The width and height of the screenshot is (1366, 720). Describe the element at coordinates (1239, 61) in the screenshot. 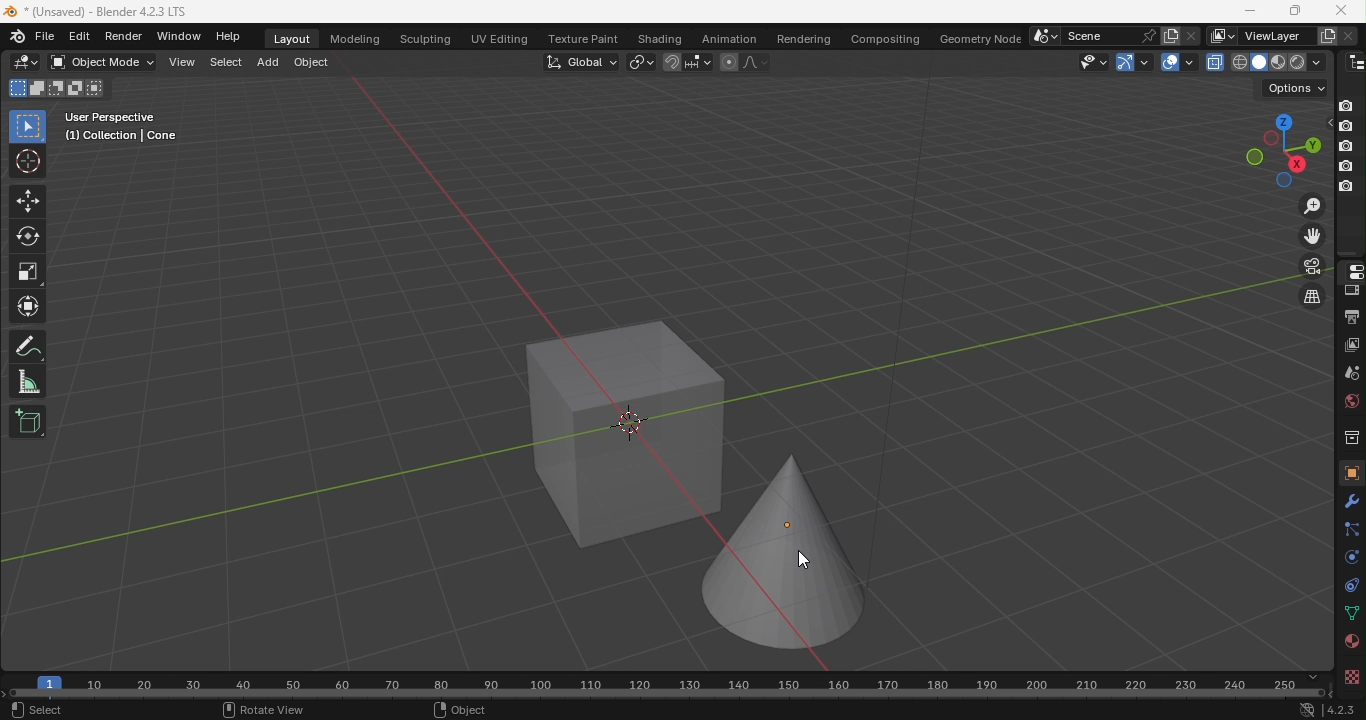

I see `viewpoint shader: wireframe` at that location.